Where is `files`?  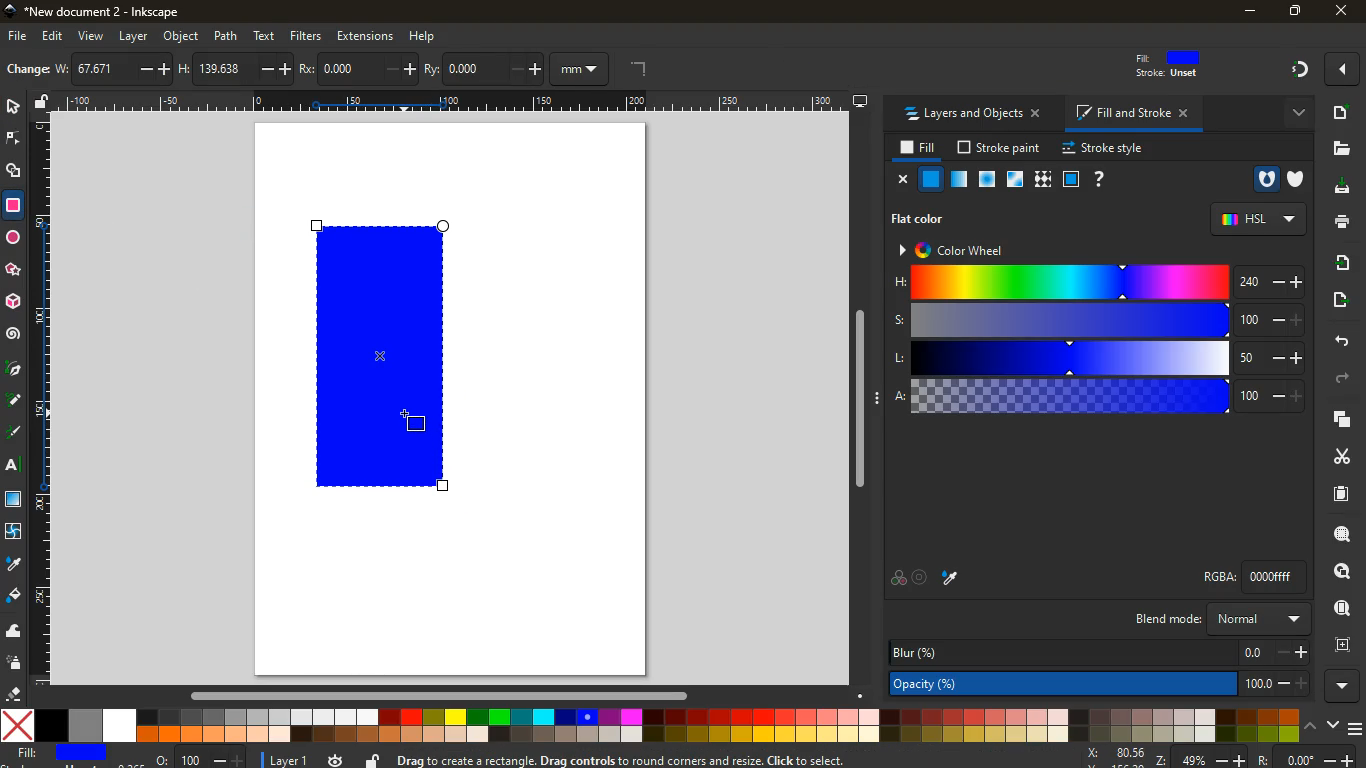
files is located at coordinates (1334, 148).